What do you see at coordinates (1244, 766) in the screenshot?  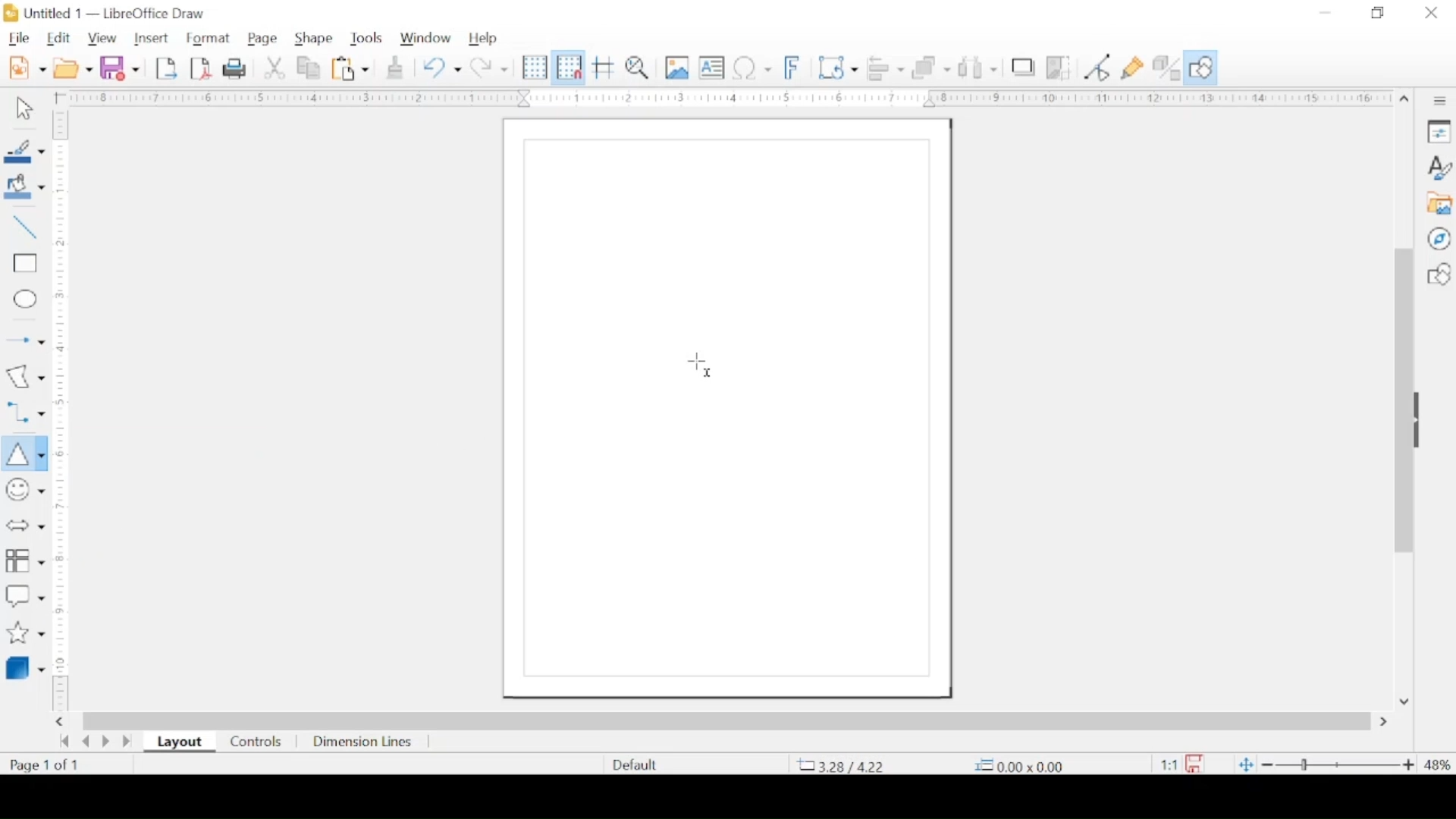 I see `fit to current window` at bounding box center [1244, 766].